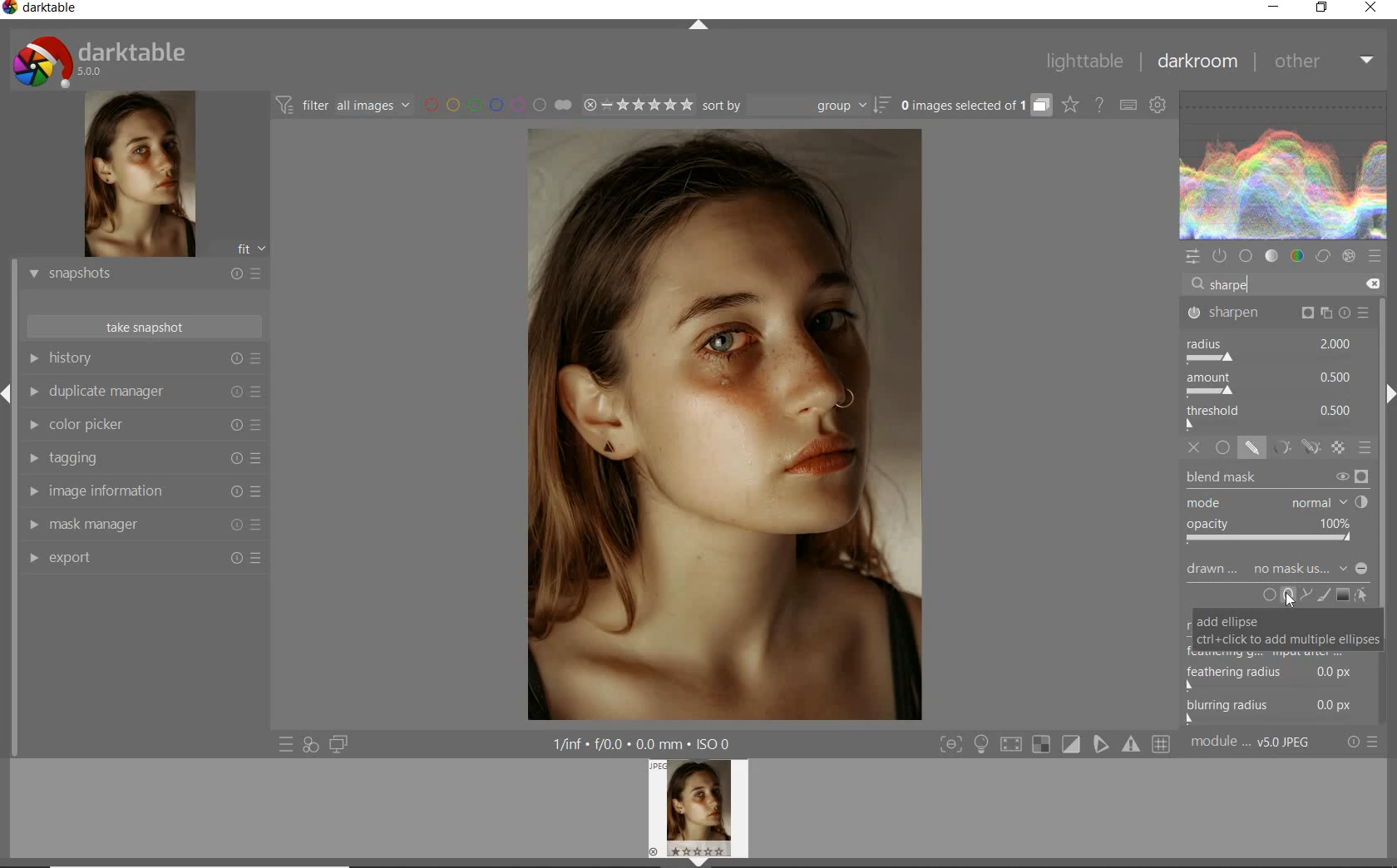  I want to click on quick access panel, so click(1193, 257).